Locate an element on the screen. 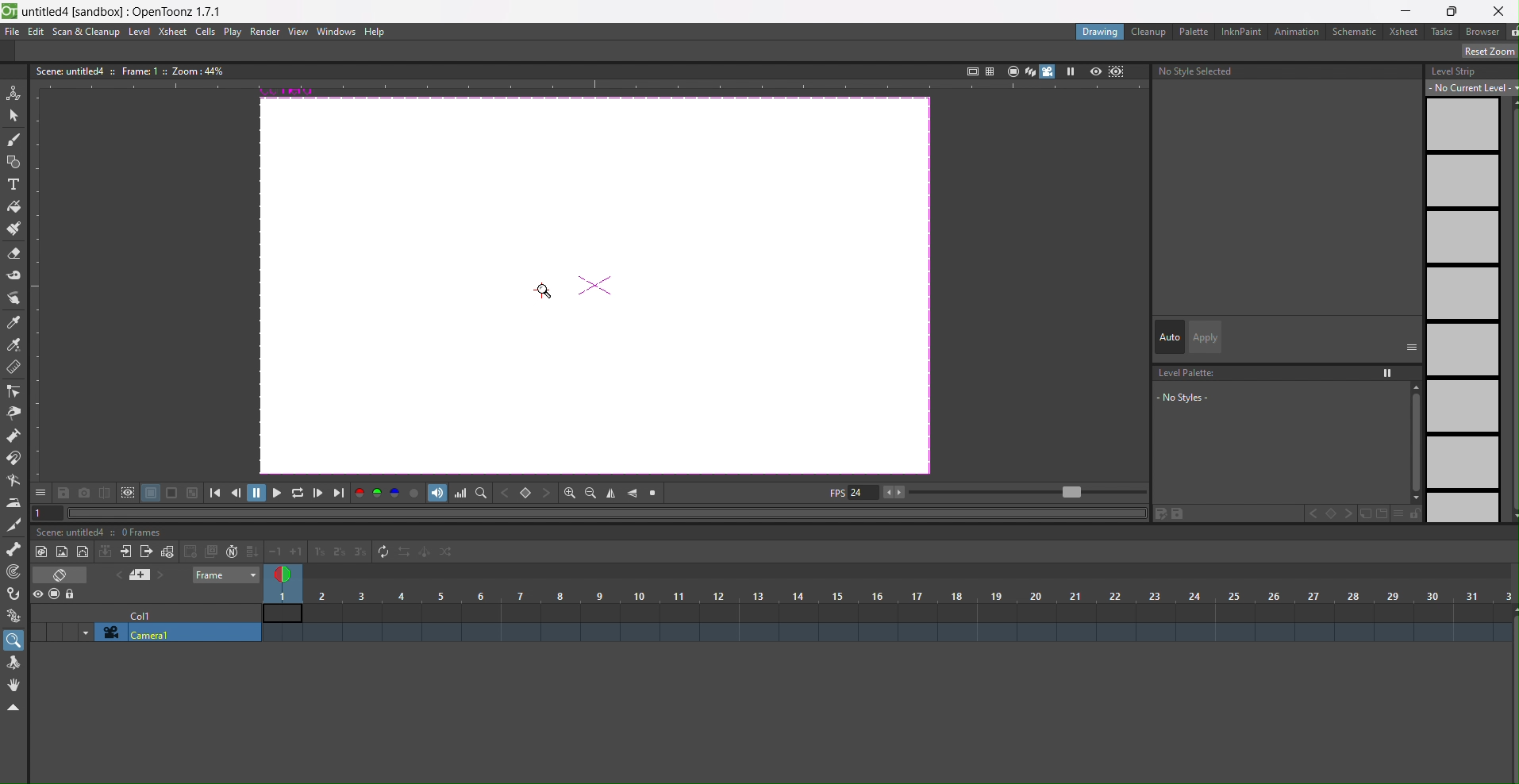 This screenshot has width=1519, height=784. hide toolbar is located at coordinates (17, 709).